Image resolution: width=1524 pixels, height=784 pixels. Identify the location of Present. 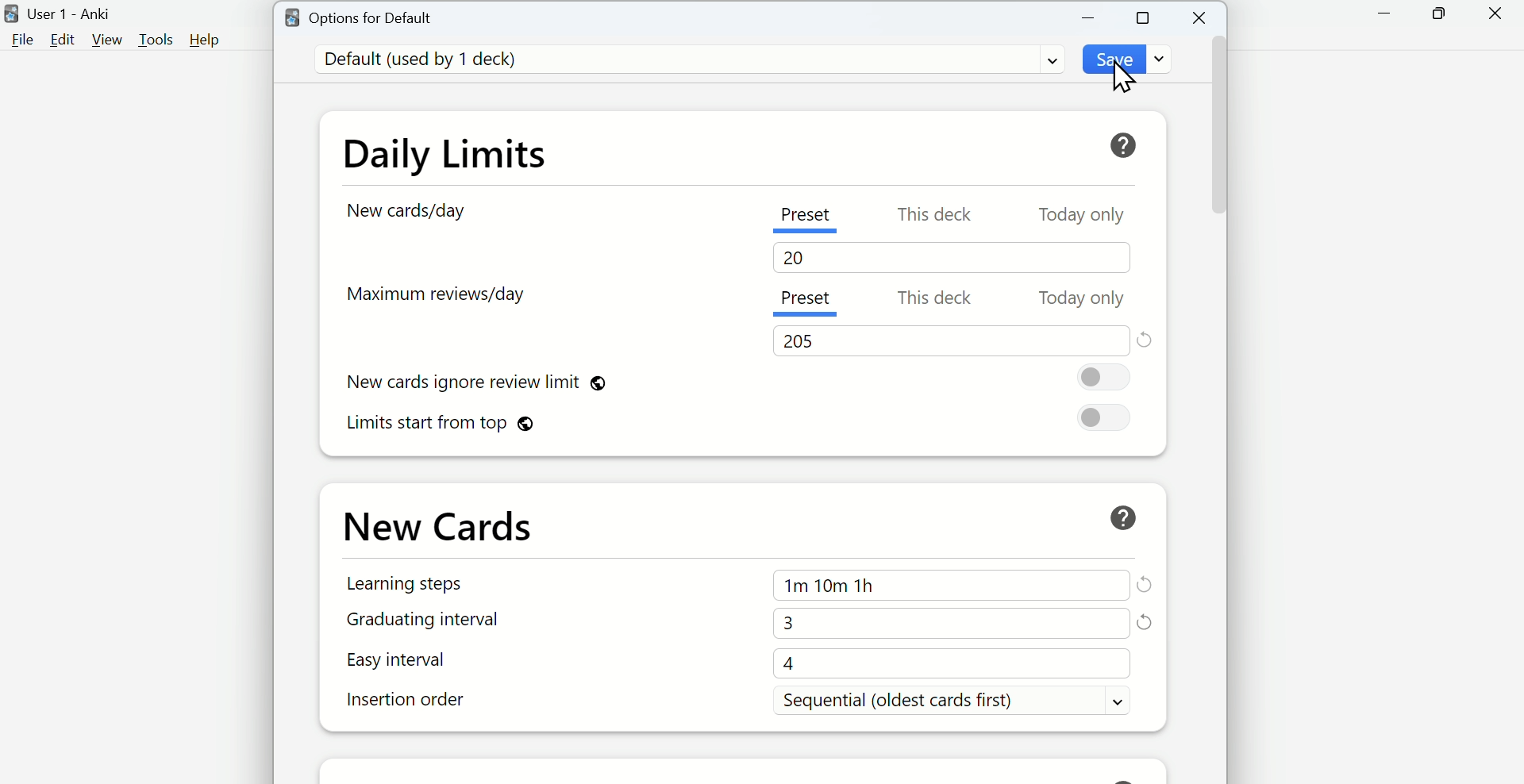
(807, 299).